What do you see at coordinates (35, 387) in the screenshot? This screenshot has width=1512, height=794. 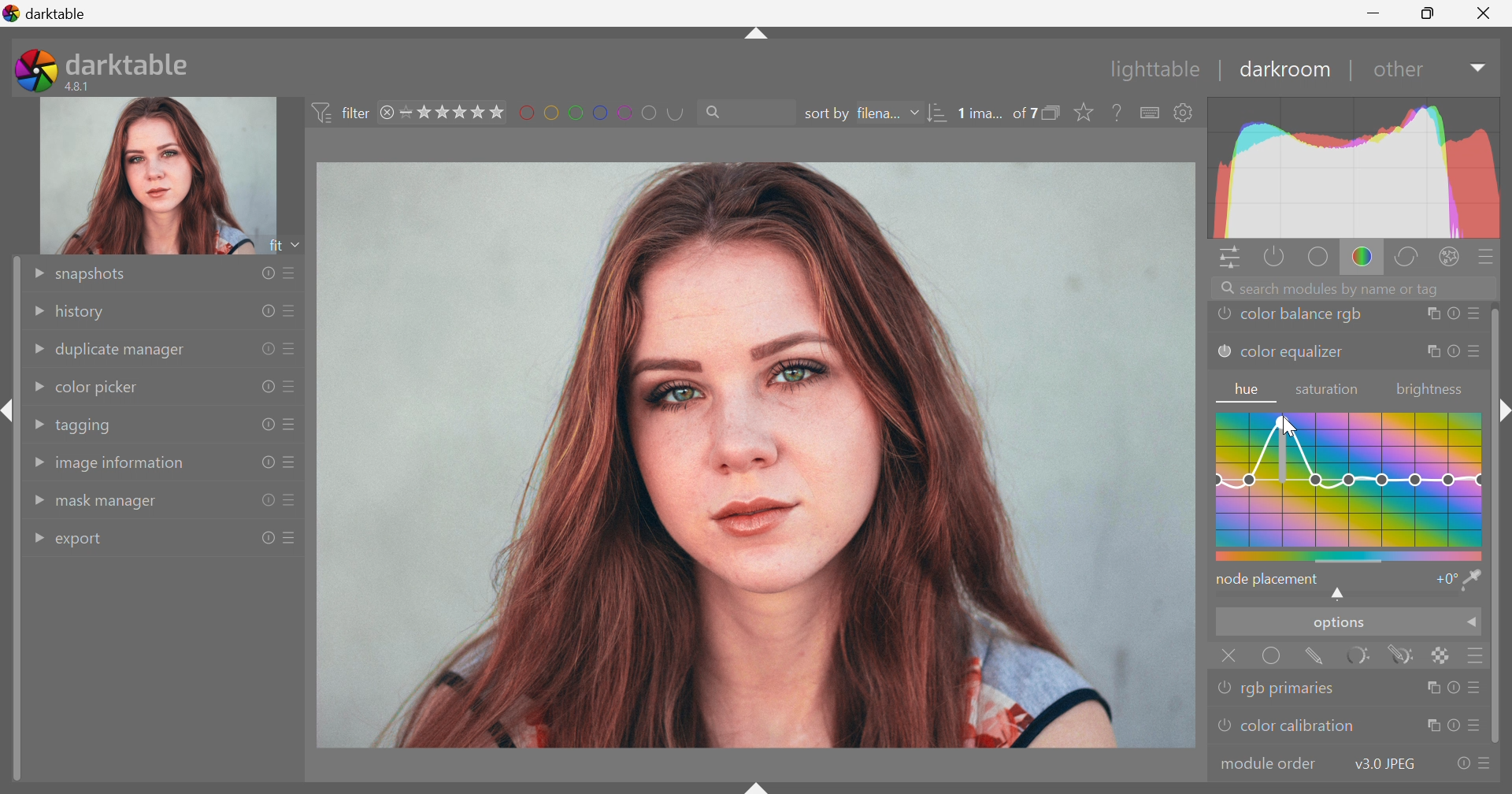 I see `Drop Down` at bounding box center [35, 387].